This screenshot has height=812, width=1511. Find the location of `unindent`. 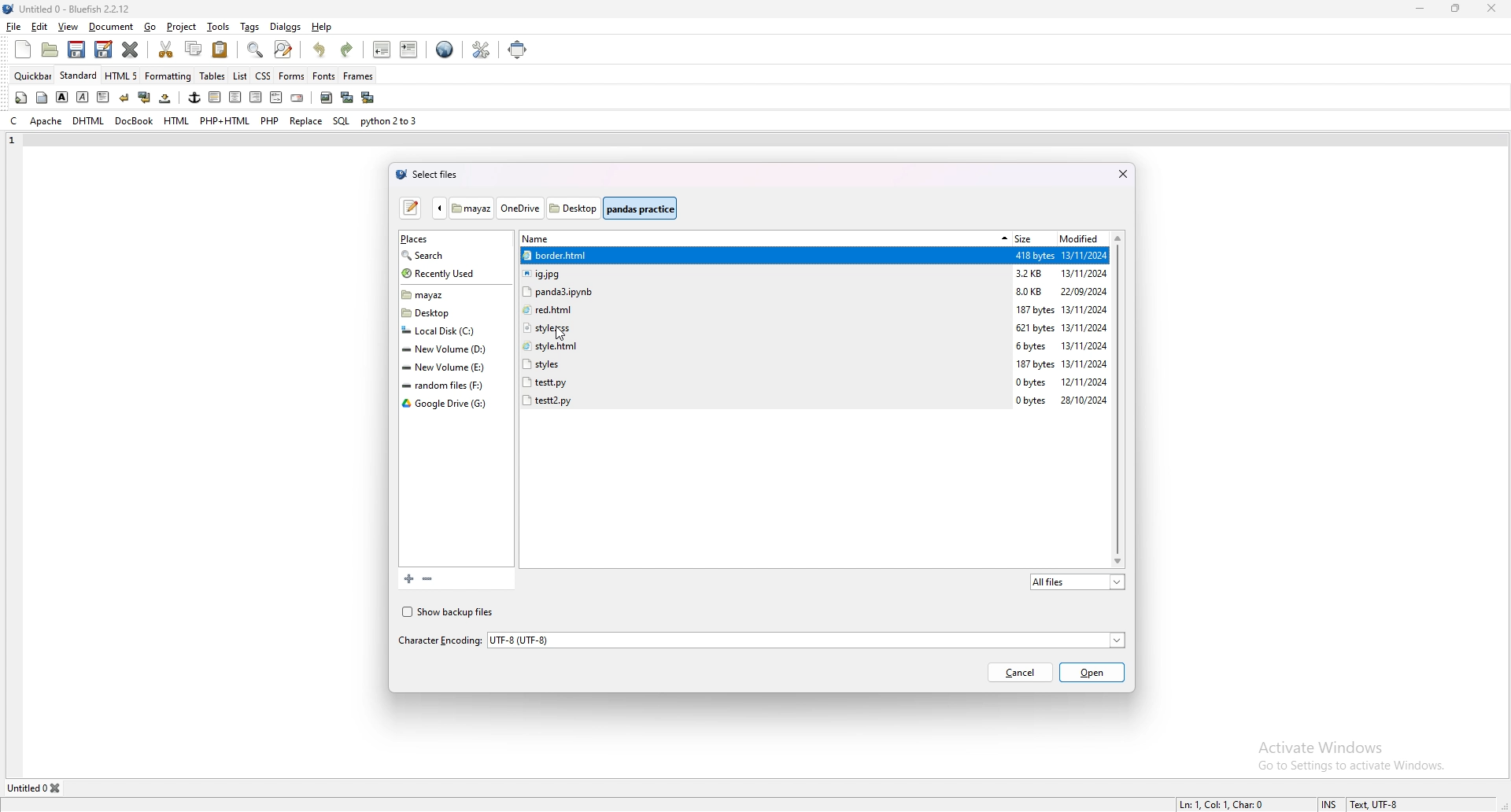

unindent is located at coordinates (383, 49).